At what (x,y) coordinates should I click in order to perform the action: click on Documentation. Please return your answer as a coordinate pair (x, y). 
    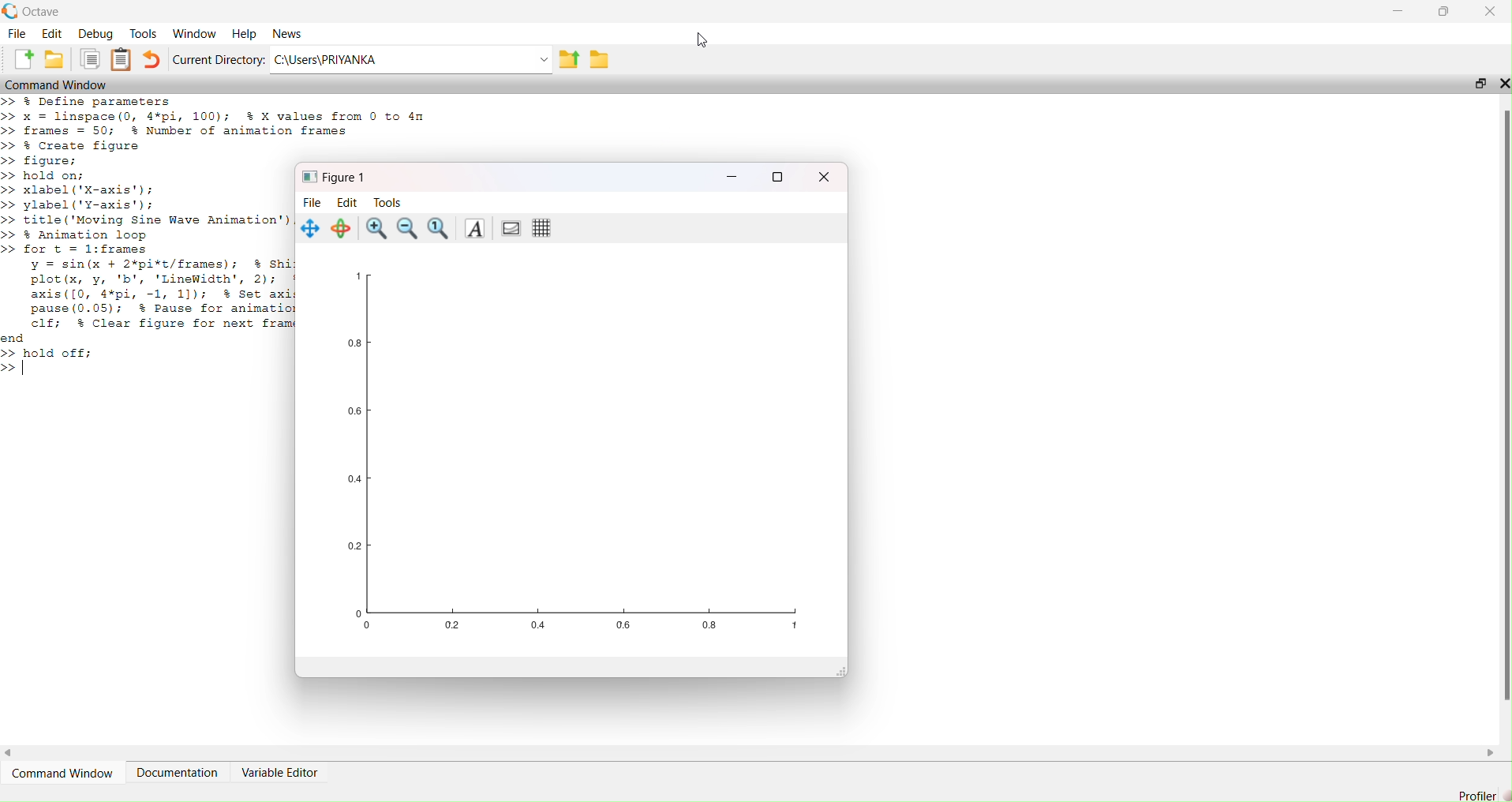
    Looking at the image, I should click on (174, 766).